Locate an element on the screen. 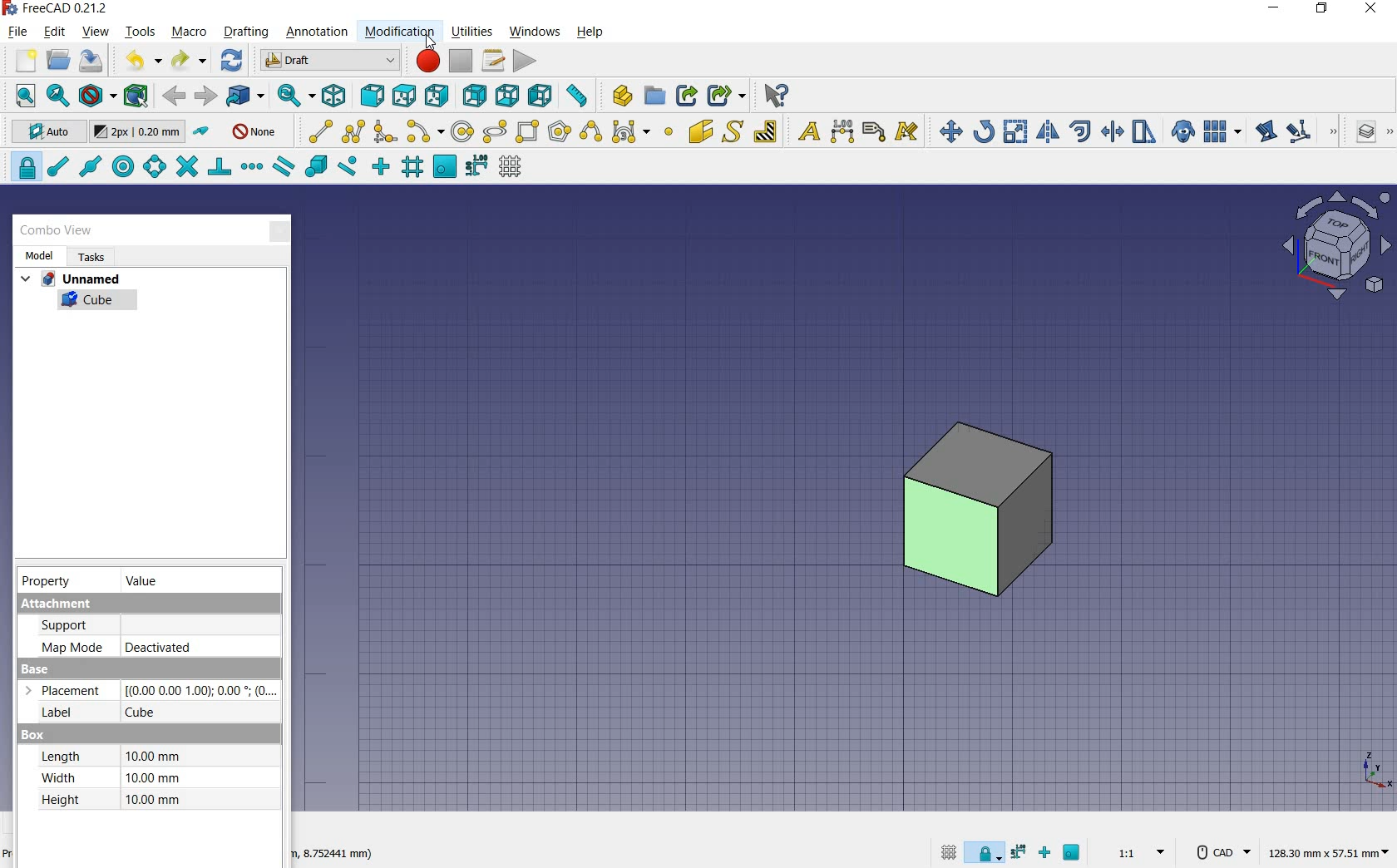 Image resolution: width=1397 pixels, height=868 pixels. measure distance is located at coordinates (578, 96).